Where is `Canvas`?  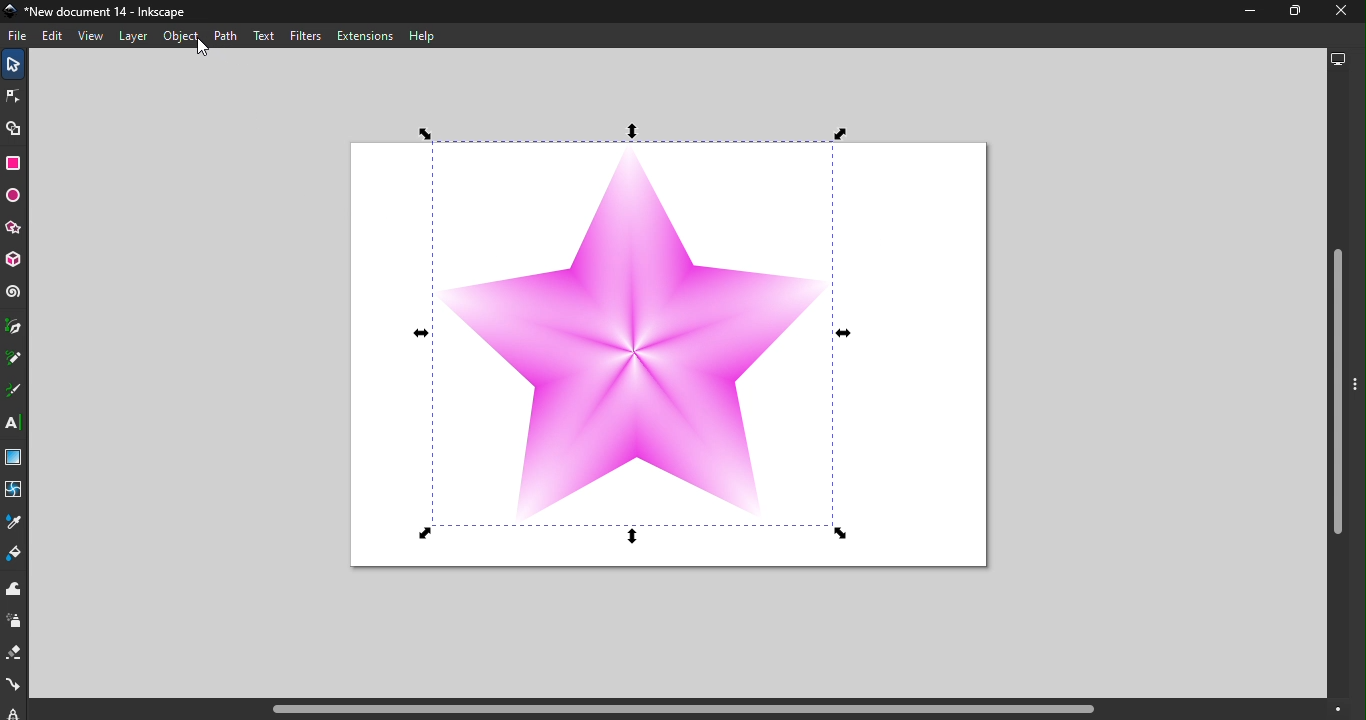
Canvas is located at coordinates (676, 355).